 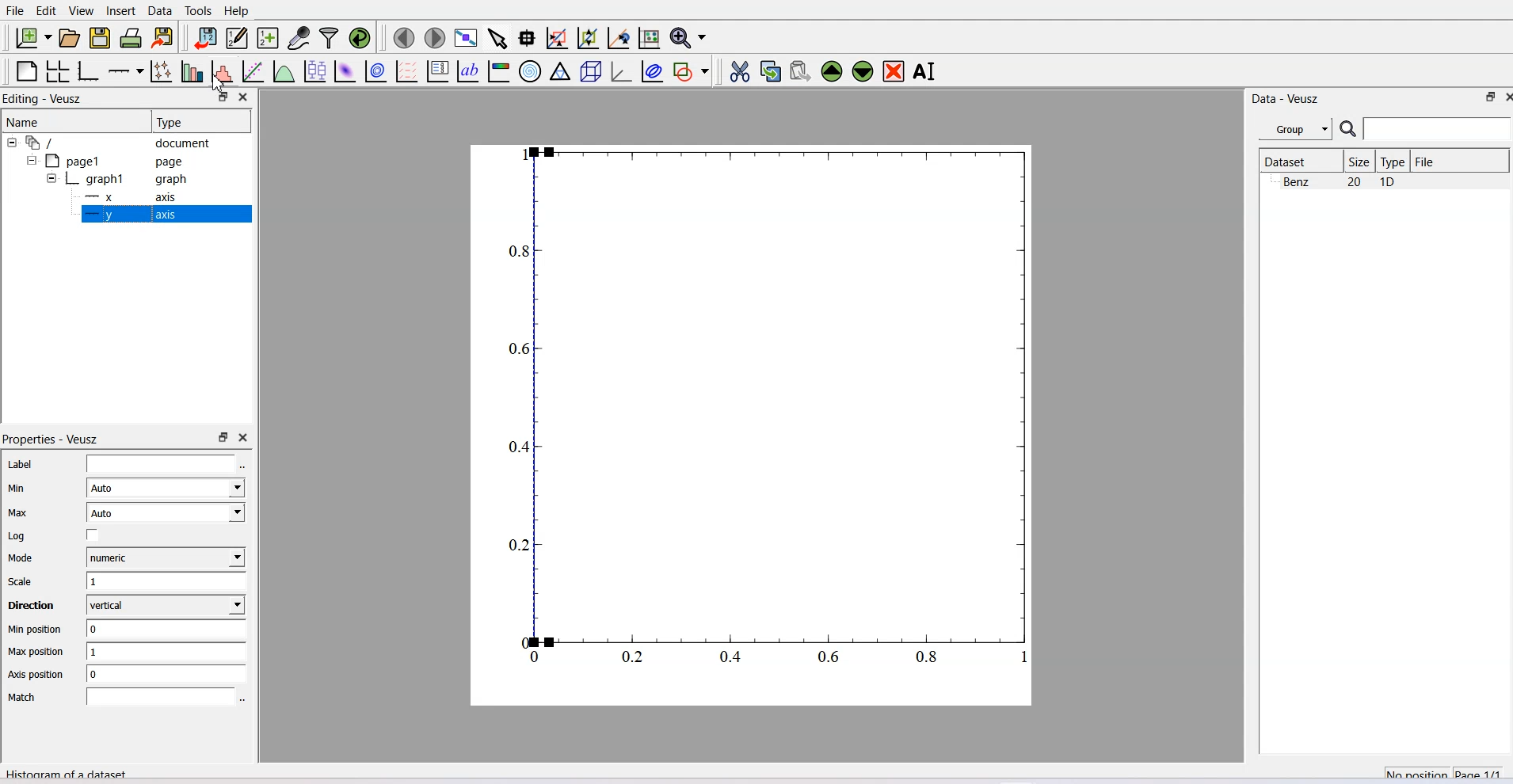 What do you see at coordinates (101, 38) in the screenshot?
I see `Save a document` at bounding box center [101, 38].